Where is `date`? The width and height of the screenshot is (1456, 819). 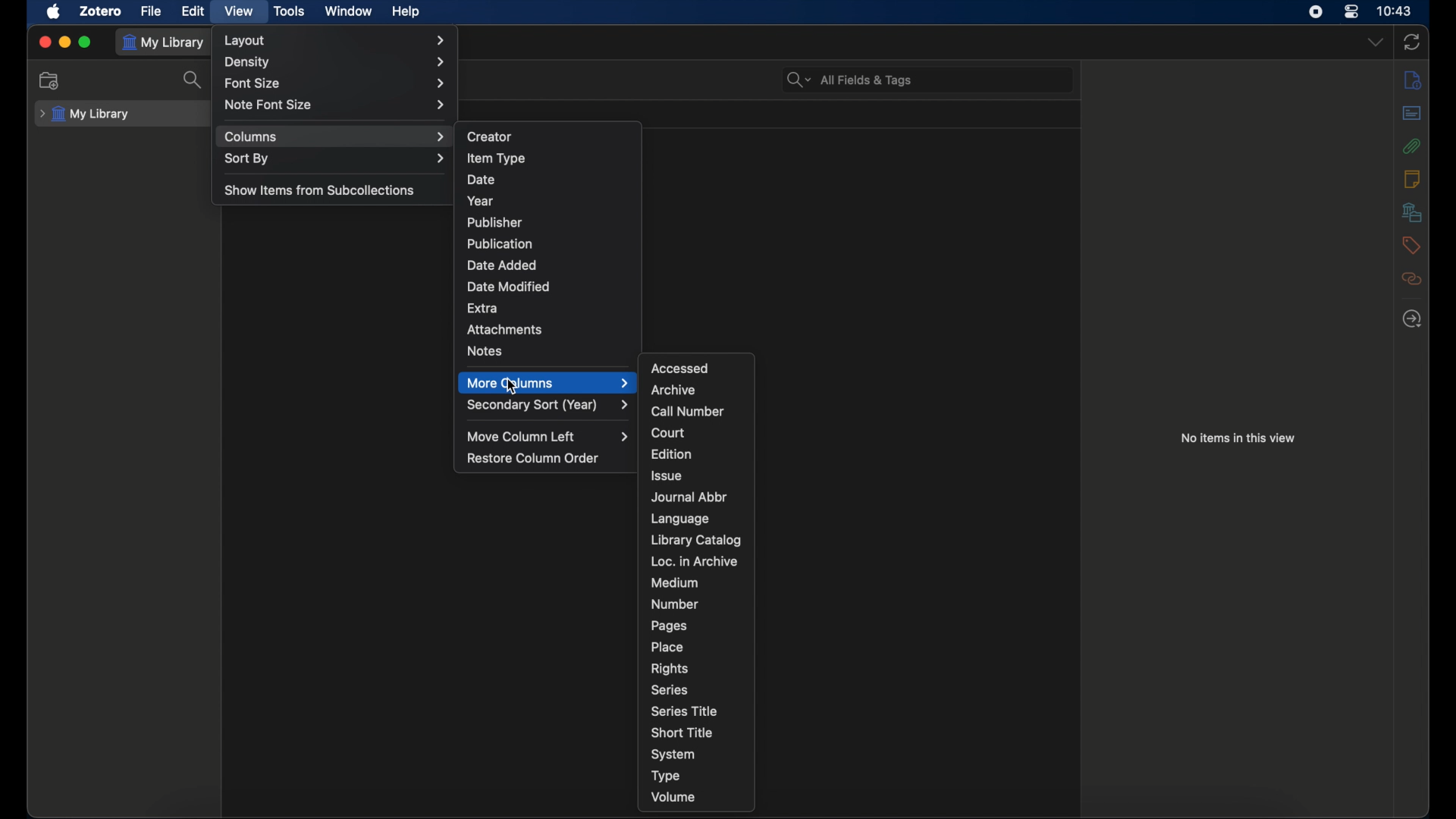
date is located at coordinates (482, 180).